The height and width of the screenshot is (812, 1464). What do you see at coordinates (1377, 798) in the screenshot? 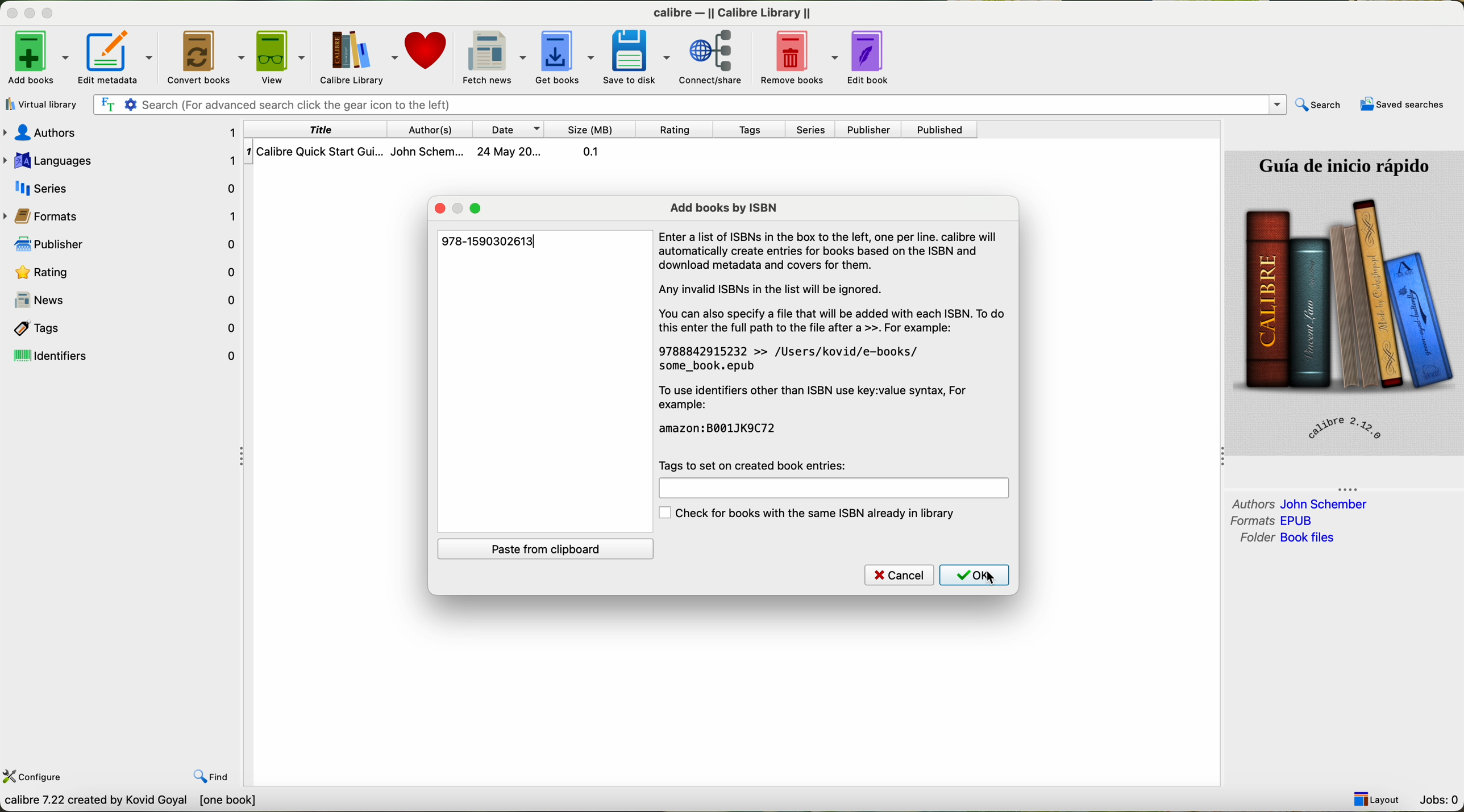
I see `layout` at bounding box center [1377, 798].